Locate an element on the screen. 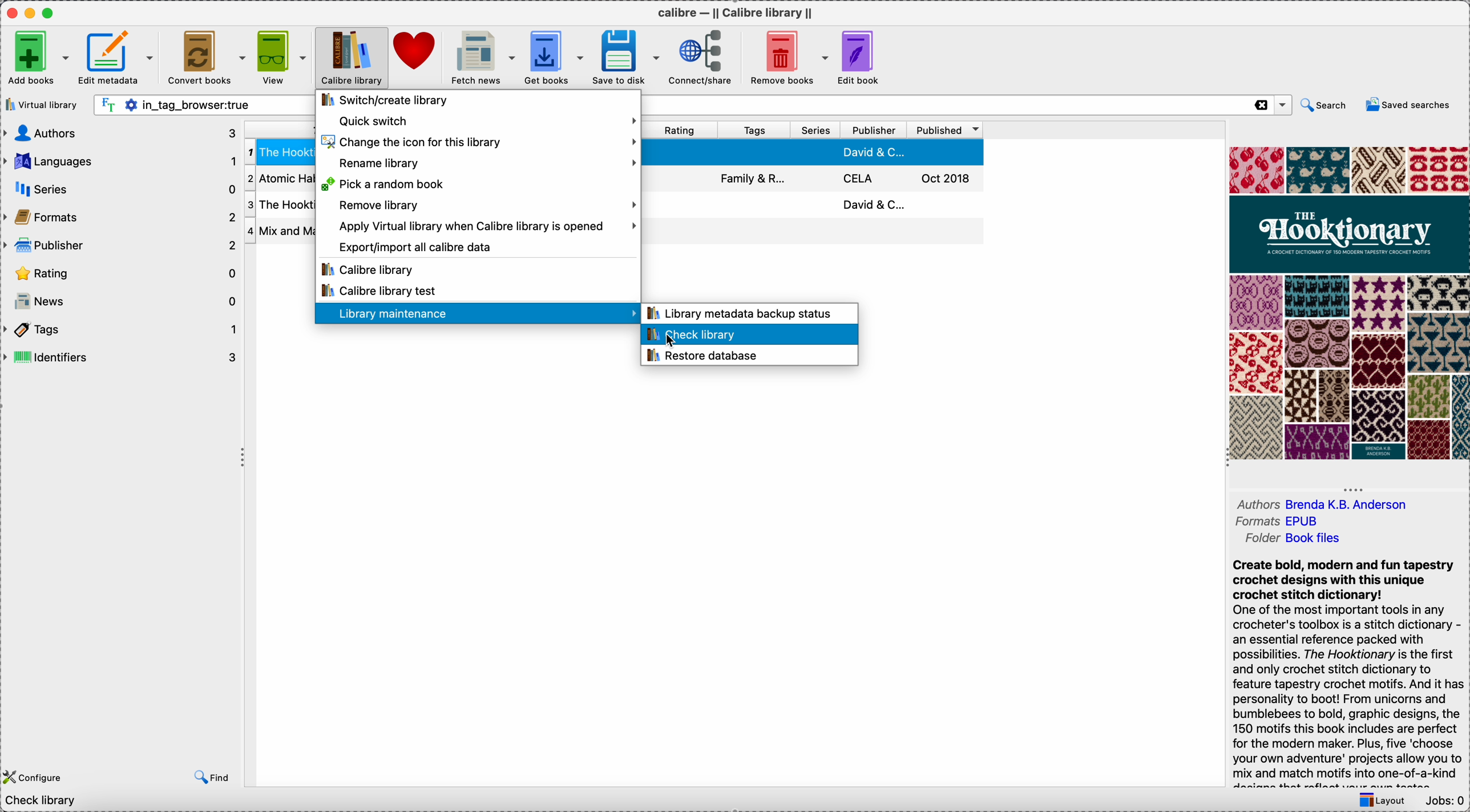 The width and height of the screenshot is (1470, 812). view is located at coordinates (282, 58).